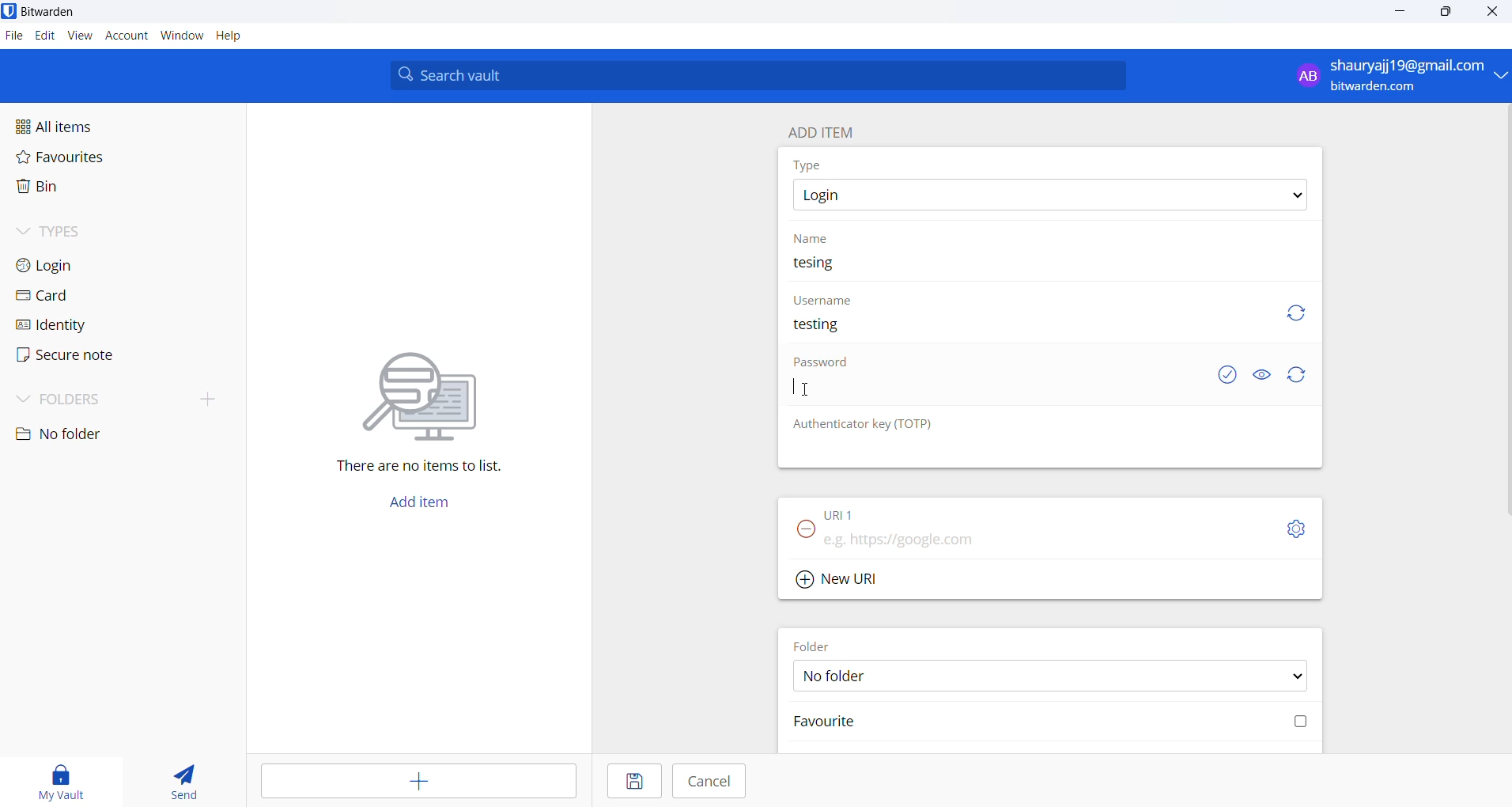 This screenshot has height=807, width=1512. What do you see at coordinates (1299, 530) in the screenshot?
I see `URL settings` at bounding box center [1299, 530].